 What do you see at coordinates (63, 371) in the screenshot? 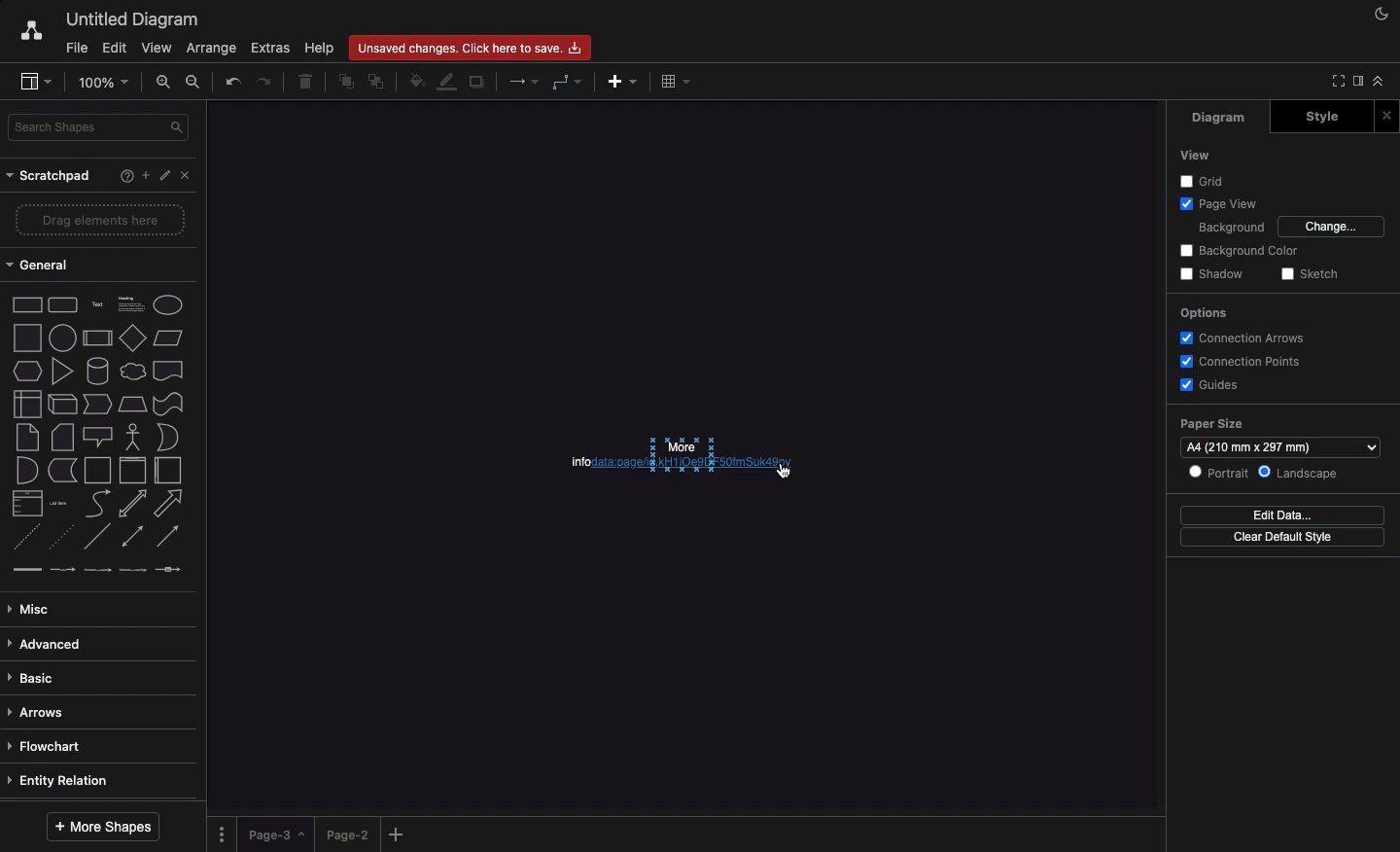
I see `triangle` at bounding box center [63, 371].